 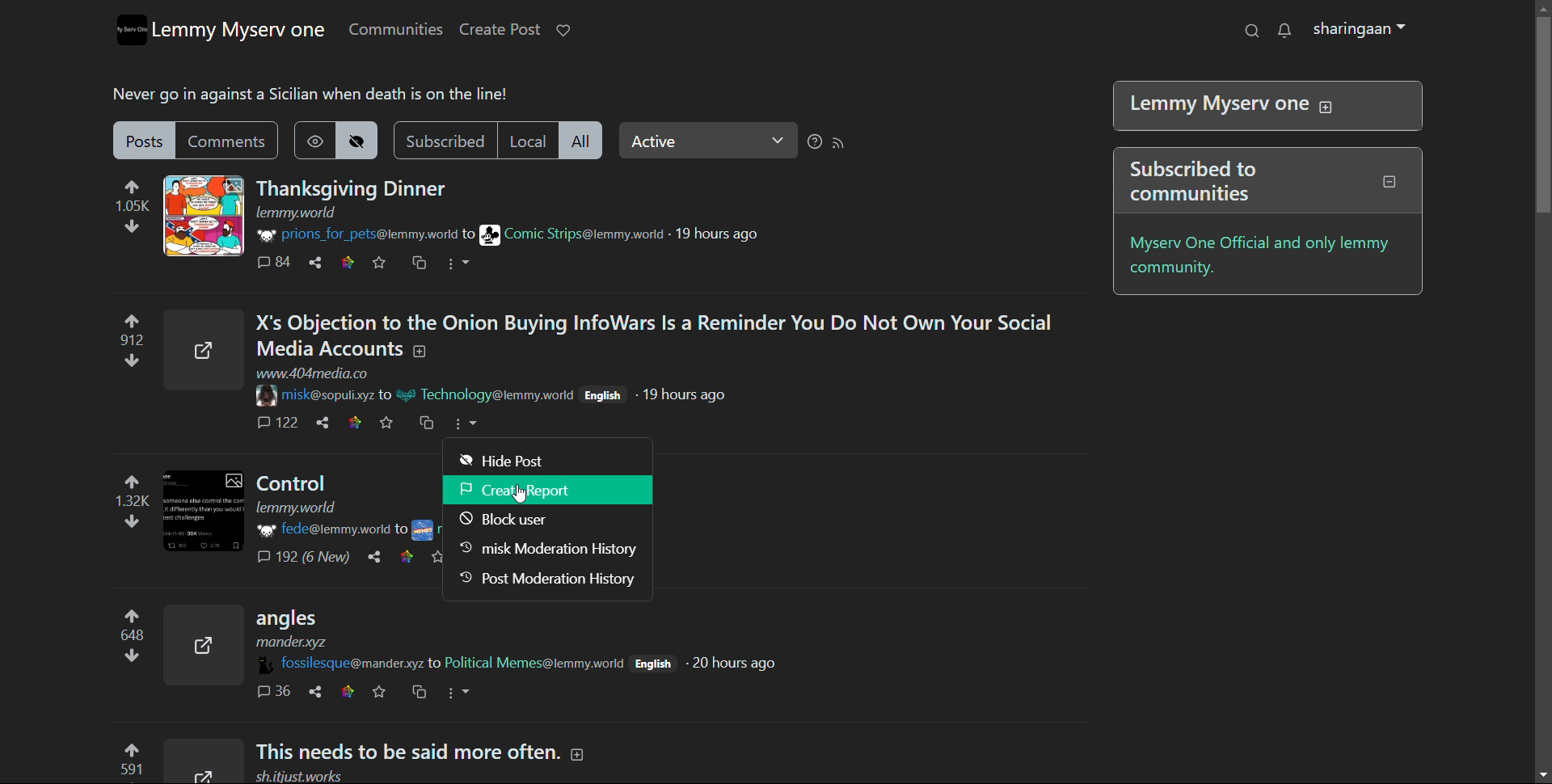 I want to click on community, so click(x=570, y=234).